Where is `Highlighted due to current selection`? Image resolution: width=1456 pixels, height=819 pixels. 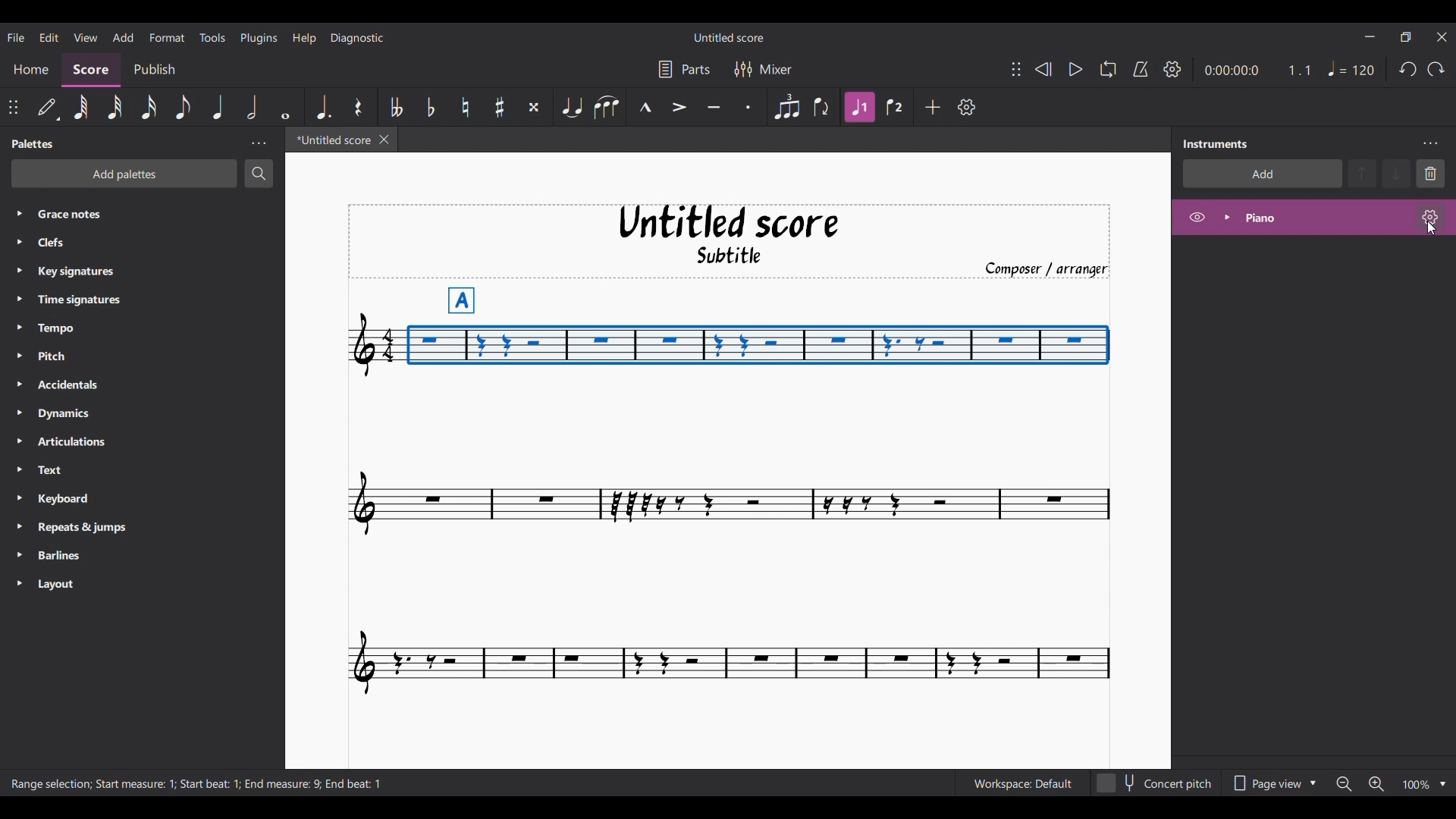 Highlighted due to current selection is located at coordinates (860, 107).